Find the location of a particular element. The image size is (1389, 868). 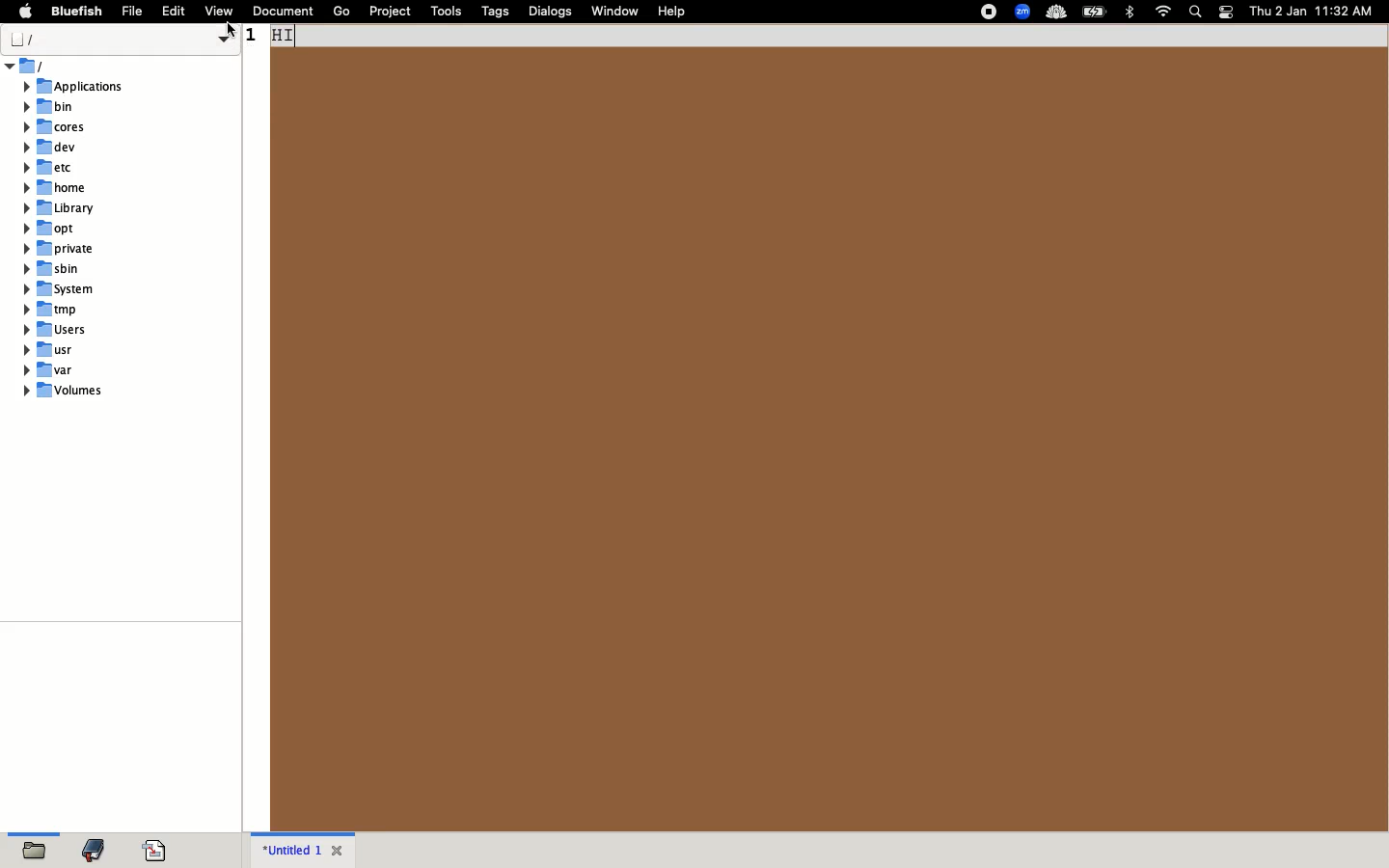

help is located at coordinates (673, 12).